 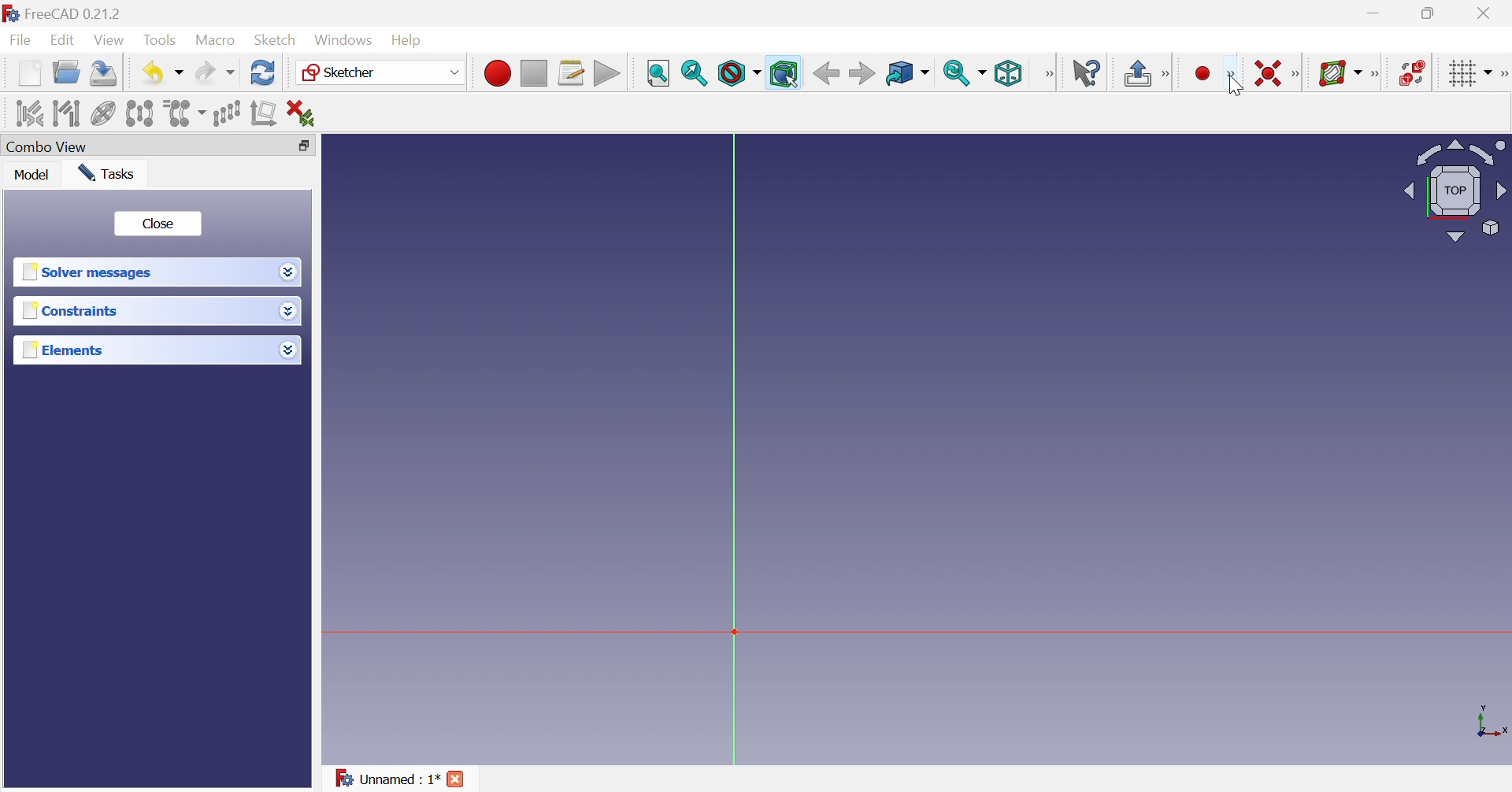 What do you see at coordinates (288, 311) in the screenshot?
I see `Drop down` at bounding box center [288, 311].